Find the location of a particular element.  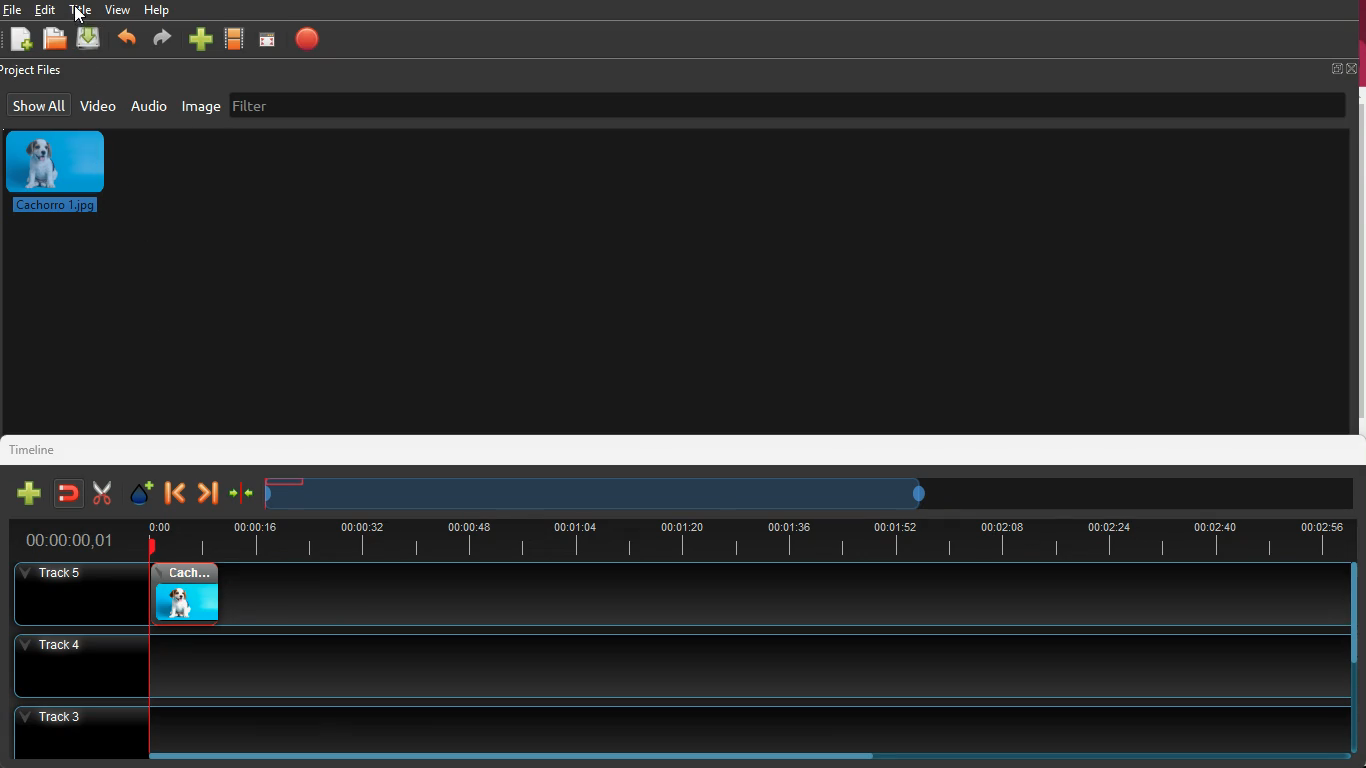

Track 3 is located at coordinates (681, 726).